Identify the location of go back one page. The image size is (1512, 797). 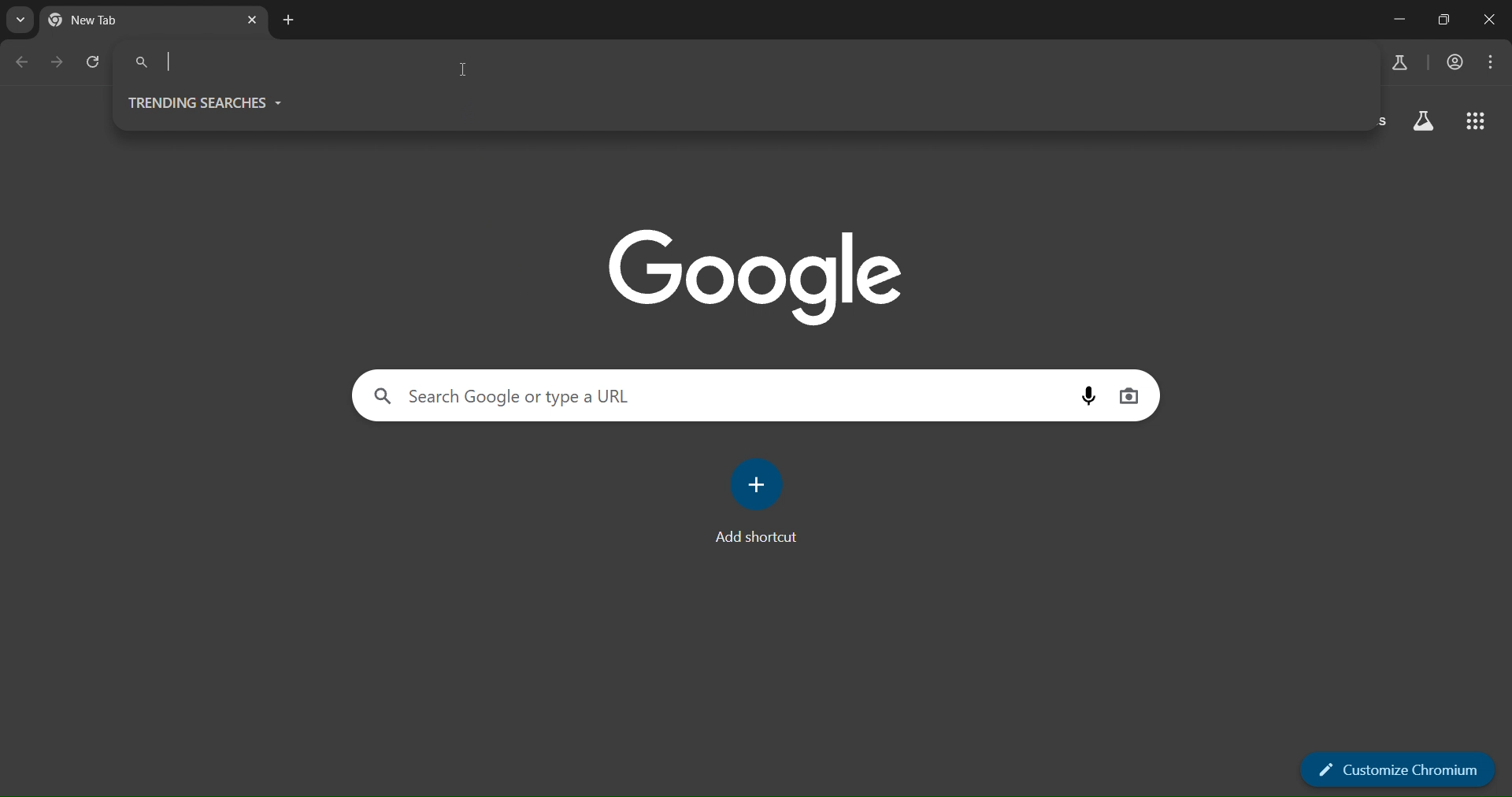
(25, 63).